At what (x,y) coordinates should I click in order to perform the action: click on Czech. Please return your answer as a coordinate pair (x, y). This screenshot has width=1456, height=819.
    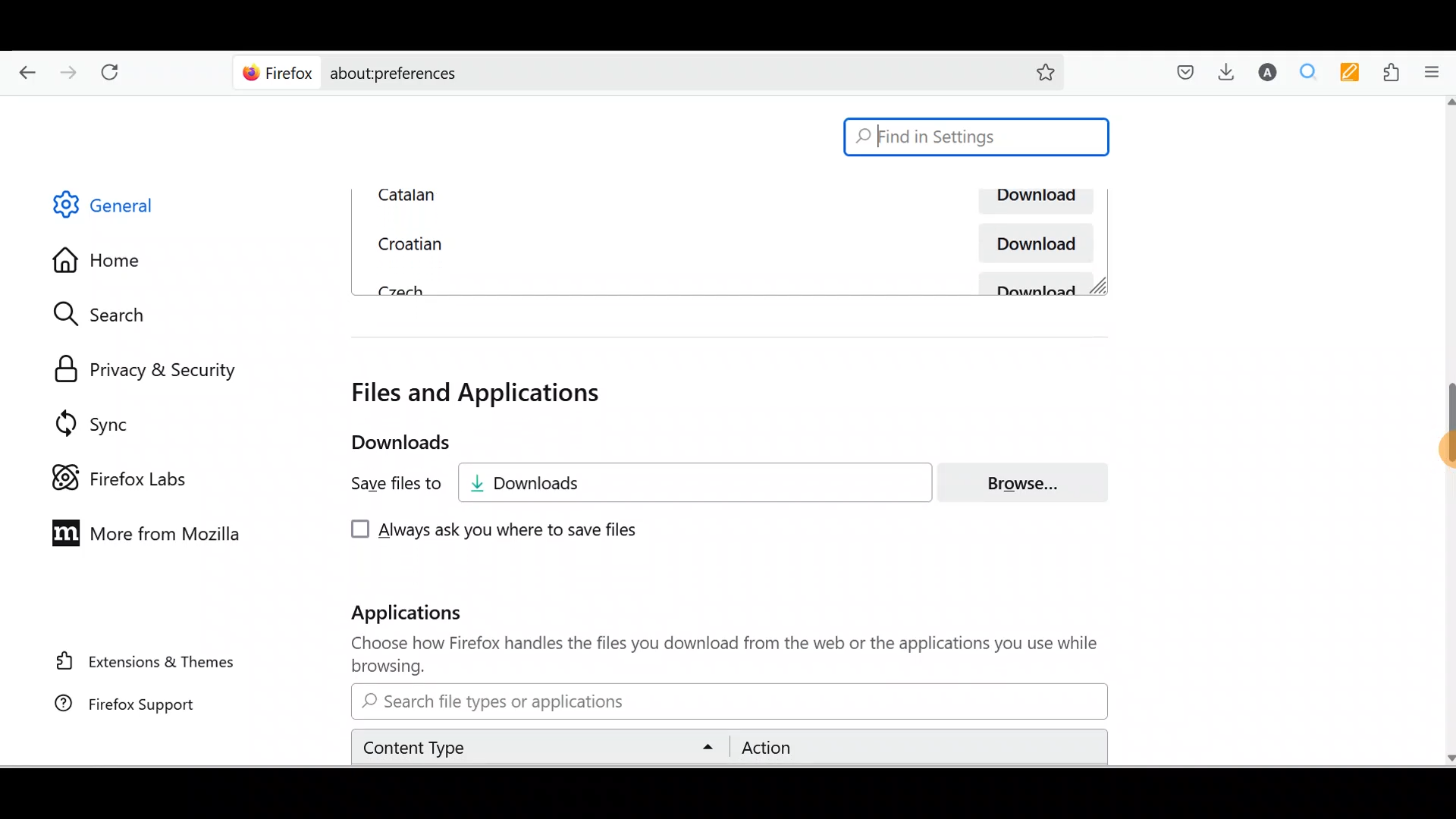
    Looking at the image, I should click on (397, 288).